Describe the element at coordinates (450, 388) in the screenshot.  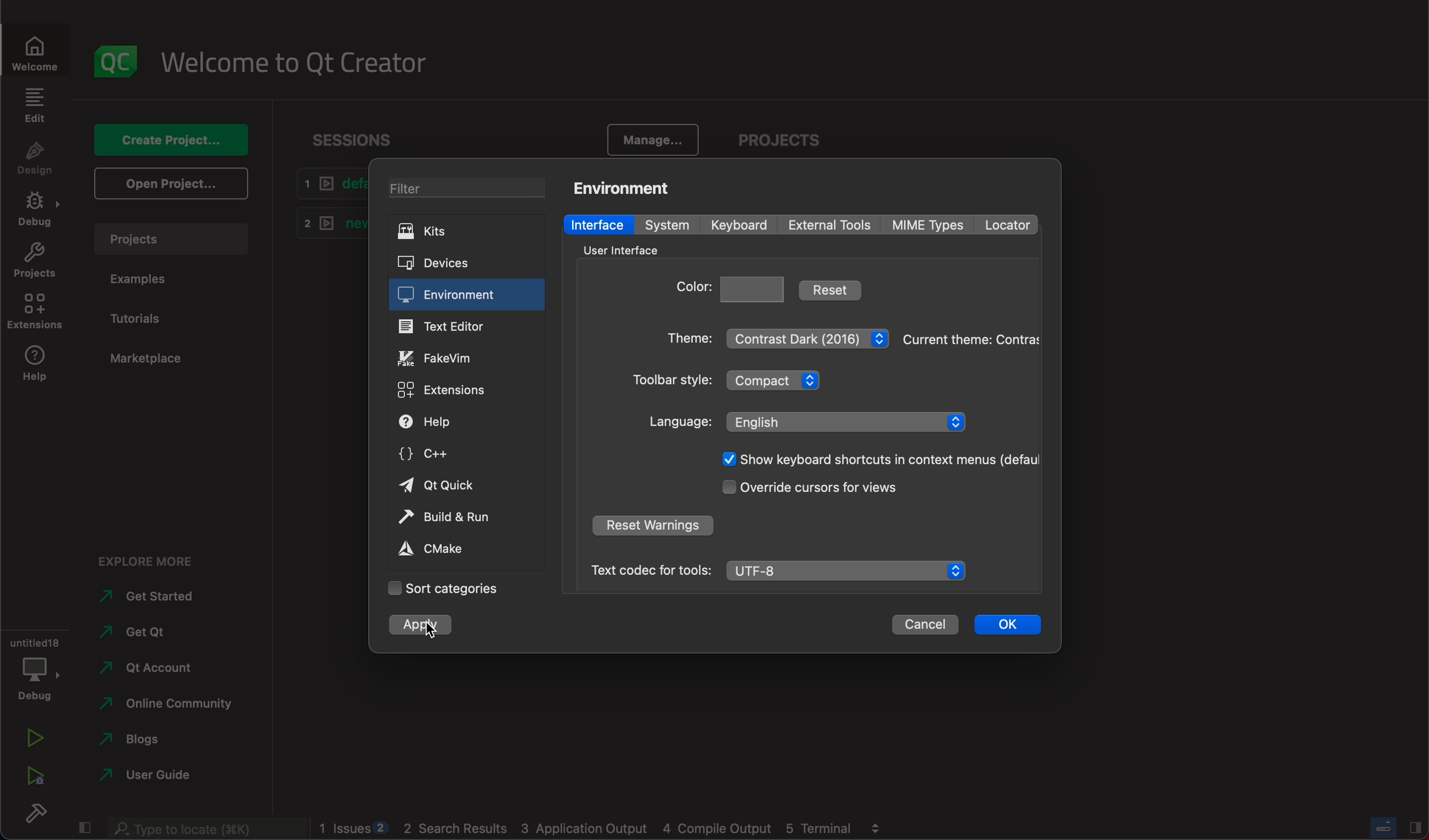
I see `extensions` at that location.